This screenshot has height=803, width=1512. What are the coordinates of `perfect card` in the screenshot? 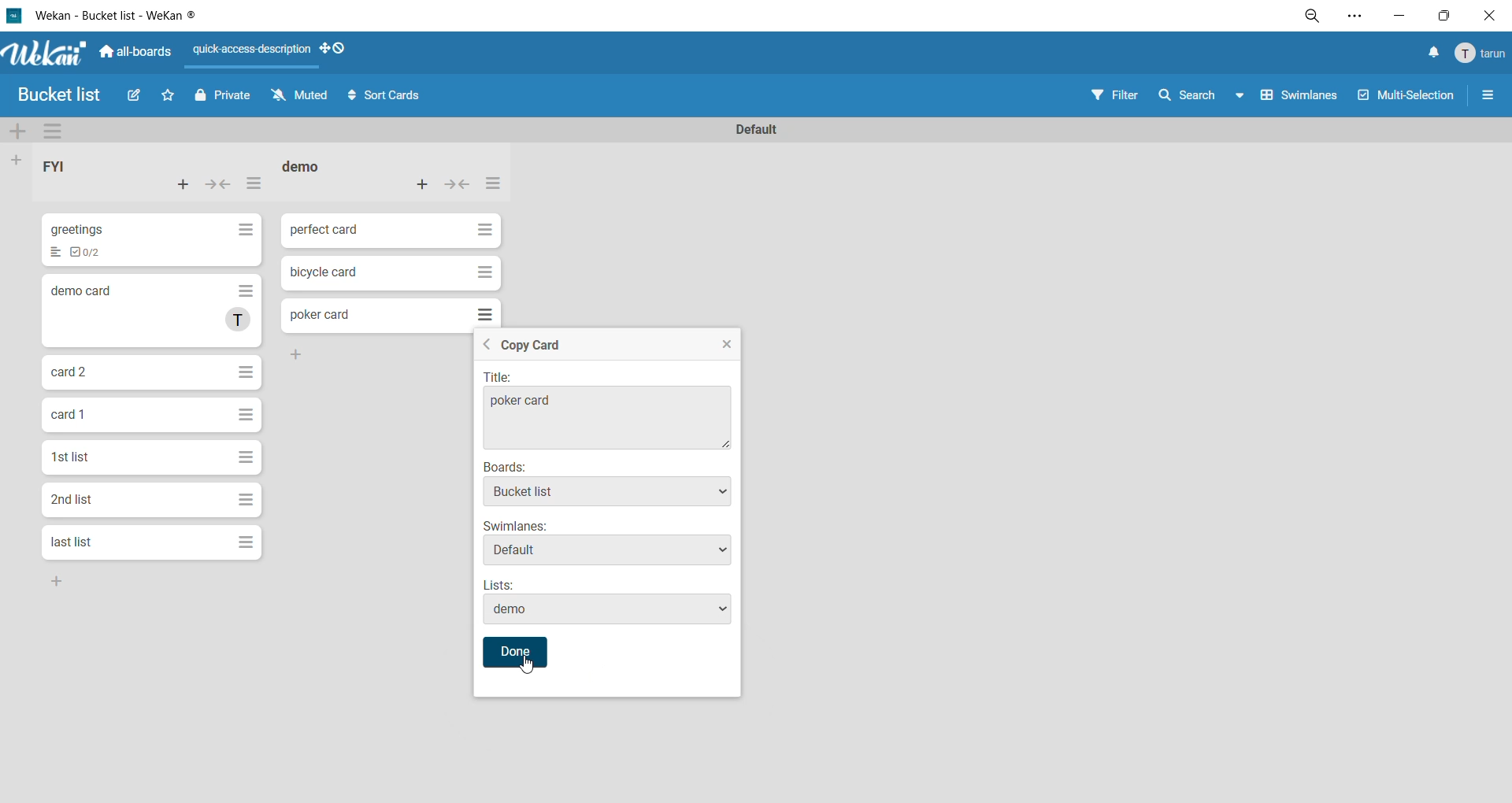 It's located at (327, 230).